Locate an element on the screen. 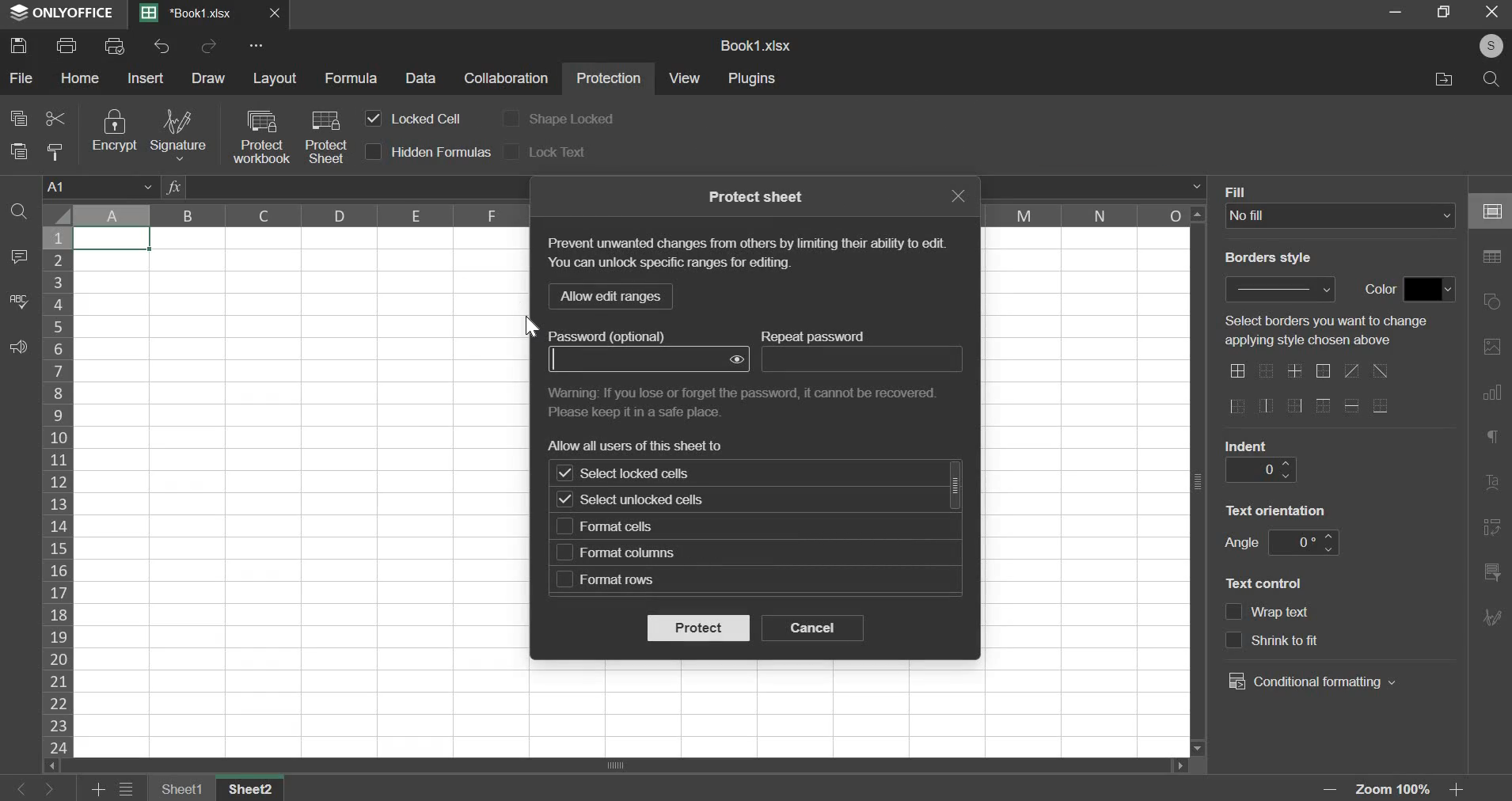  border style is located at coordinates (1282, 288).